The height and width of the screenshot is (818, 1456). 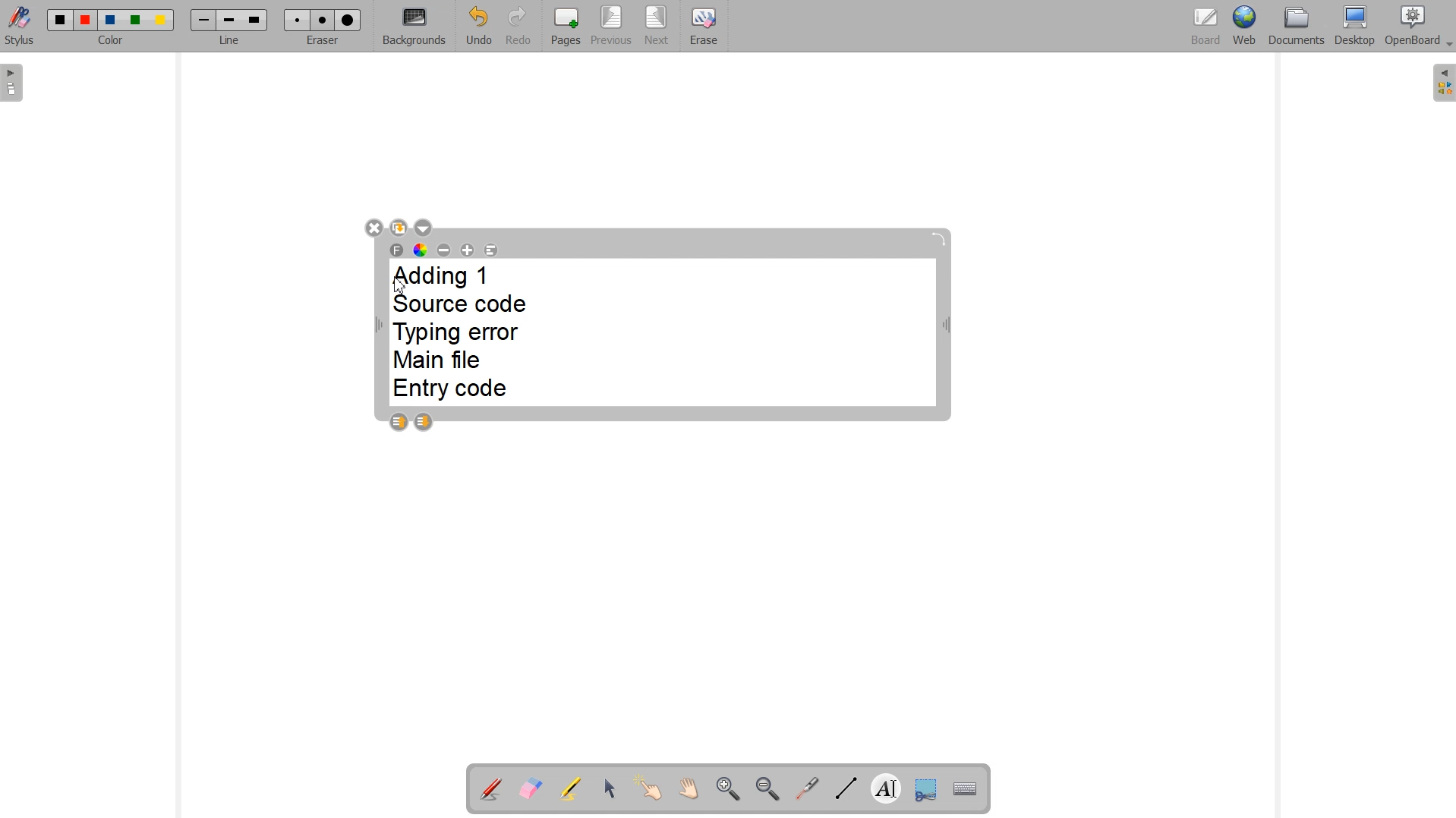 What do you see at coordinates (348, 20) in the screenshot?
I see `Large eraser` at bounding box center [348, 20].